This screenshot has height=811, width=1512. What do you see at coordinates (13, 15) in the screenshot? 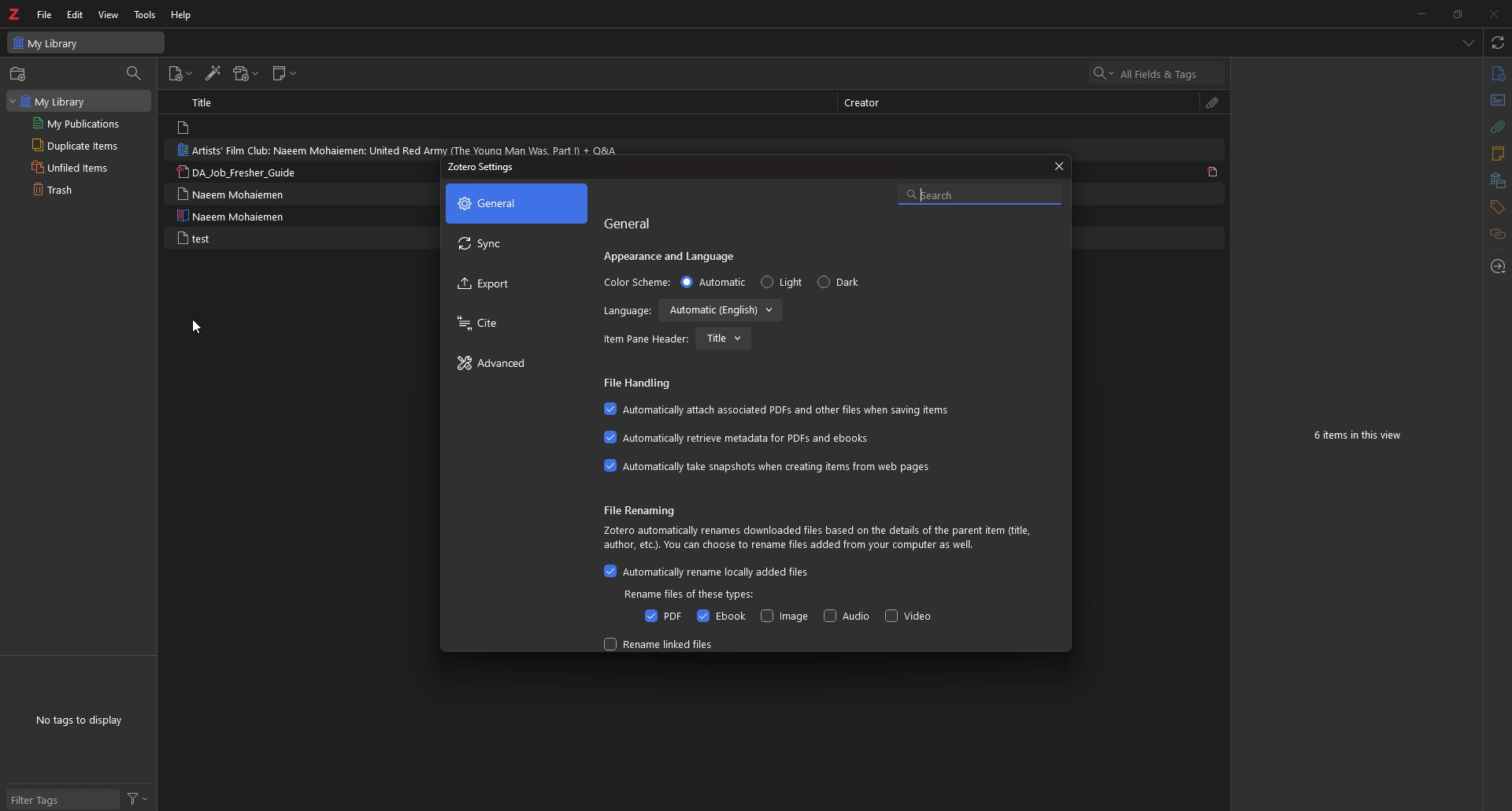
I see `zotero logo` at bounding box center [13, 15].